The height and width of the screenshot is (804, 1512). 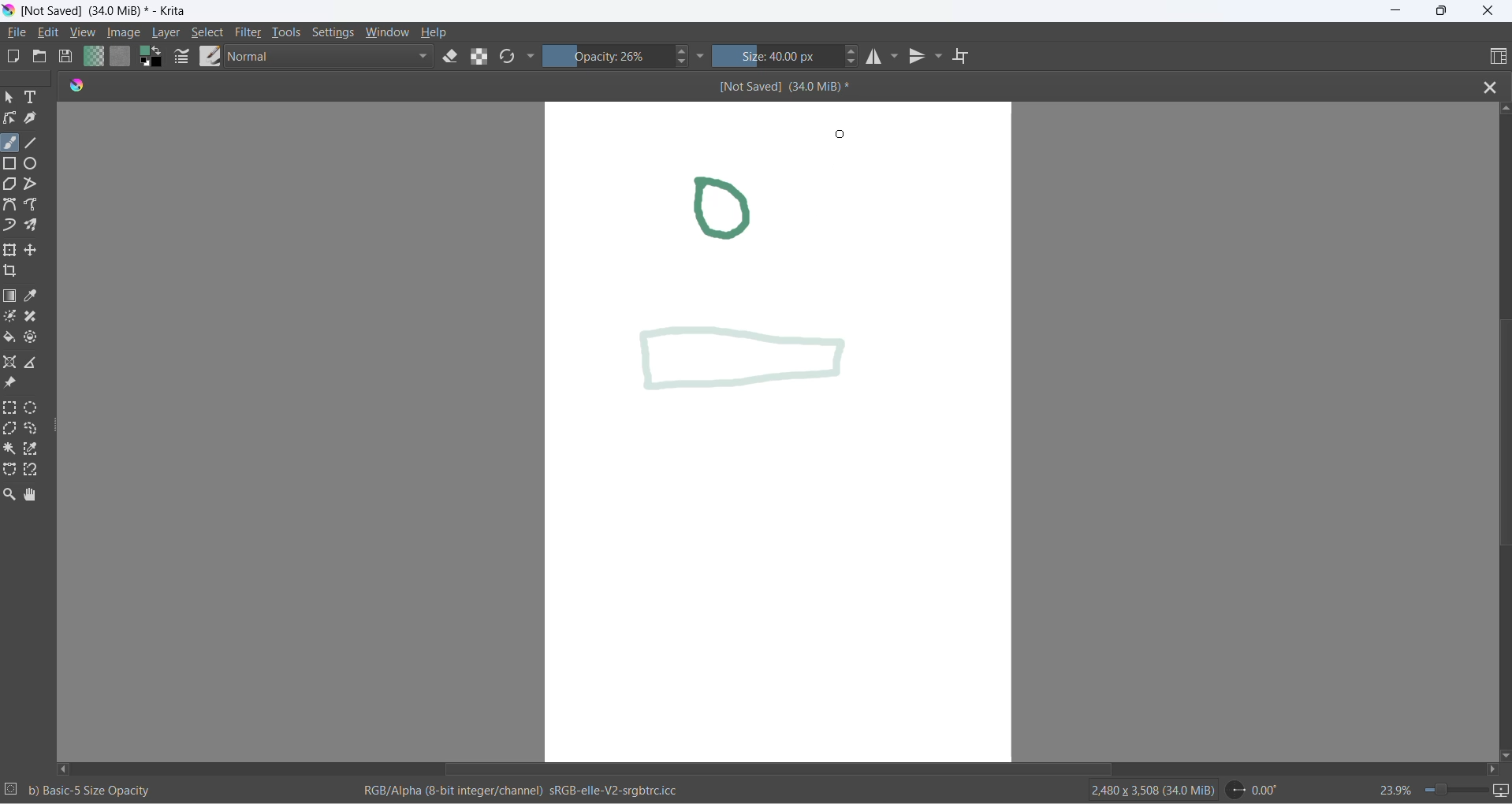 What do you see at coordinates (37, 362) in the screenshot?
I see `measure the distance between two points` at bounding box center [37, 362].